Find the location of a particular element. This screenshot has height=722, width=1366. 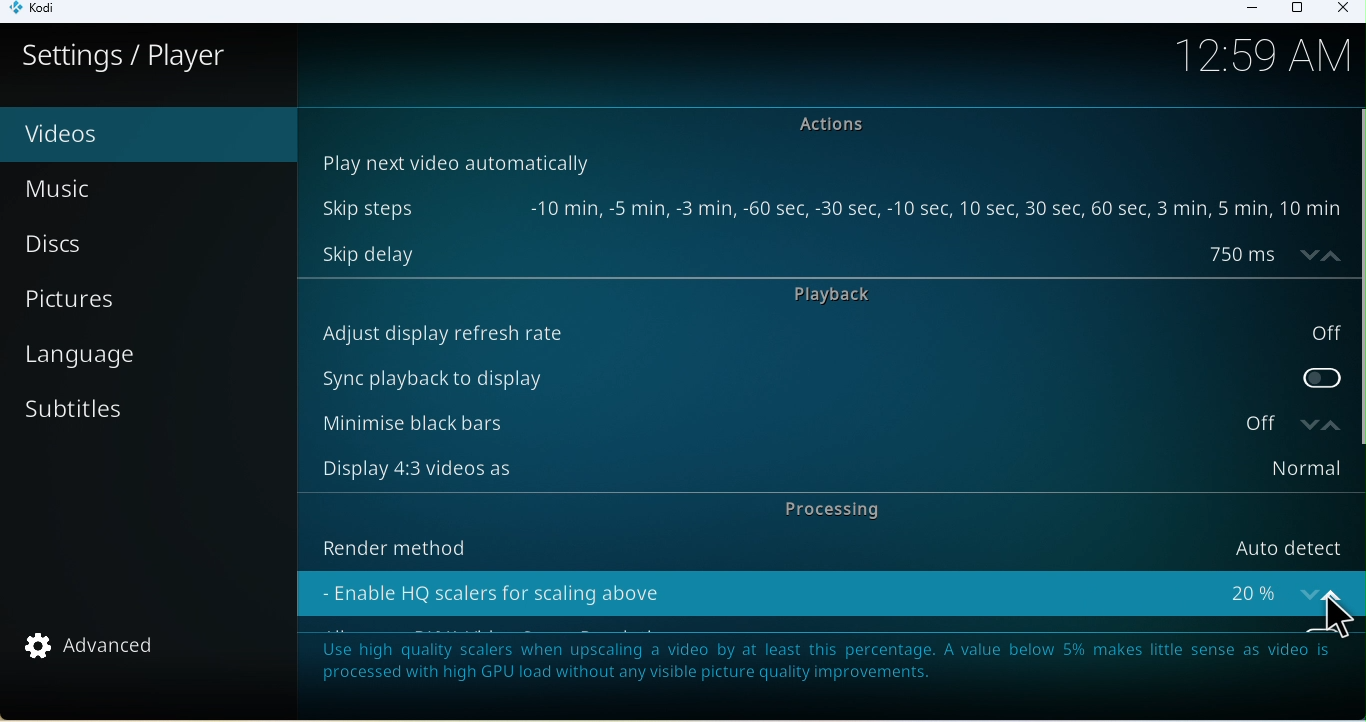

vertical scroll bar is located at coordinates (1357, 277).